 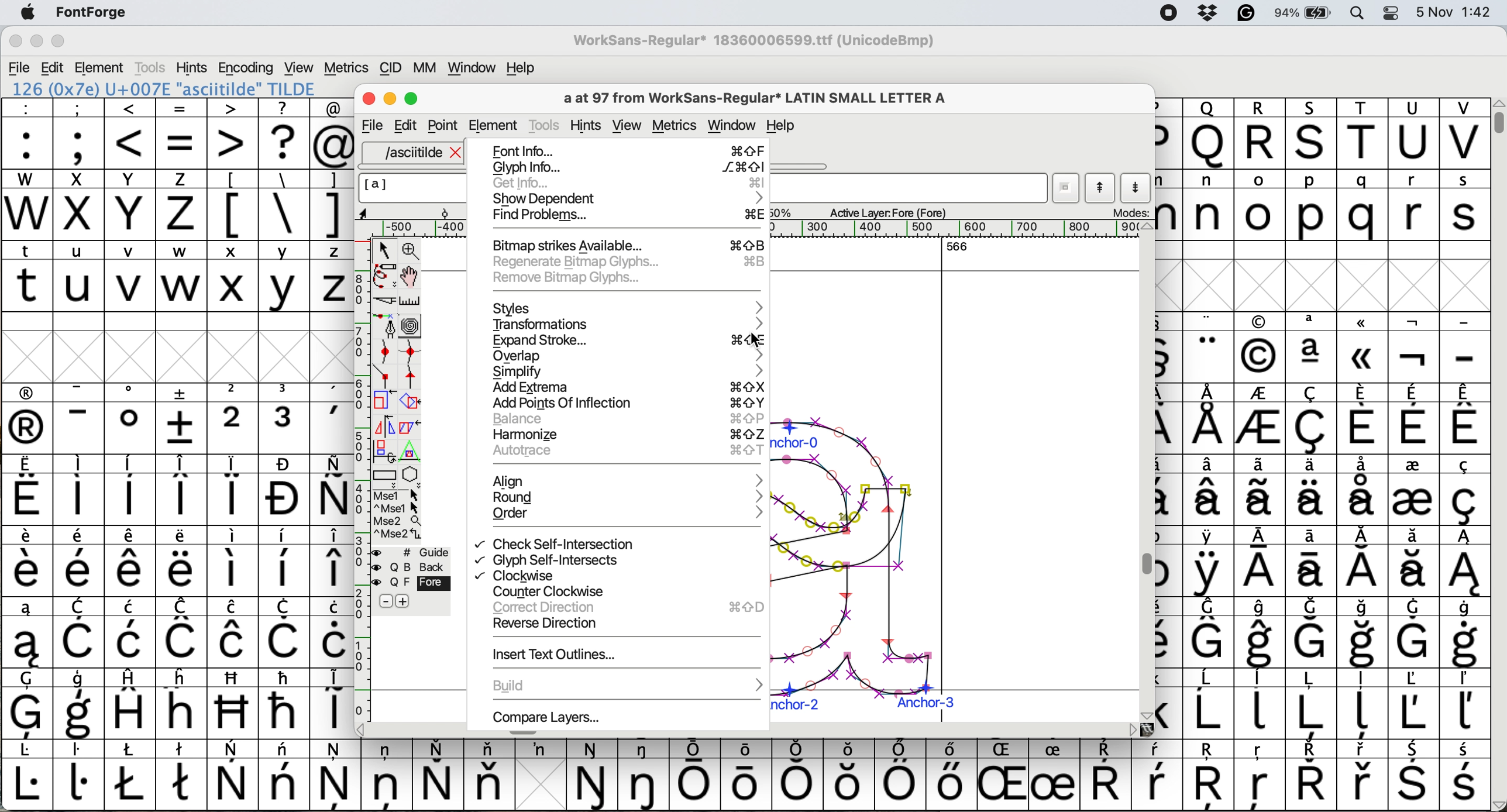 What do you see at coordinates (1105, 776) in the screenshot?
I see `symbol` at bounding box center [1105, 776].